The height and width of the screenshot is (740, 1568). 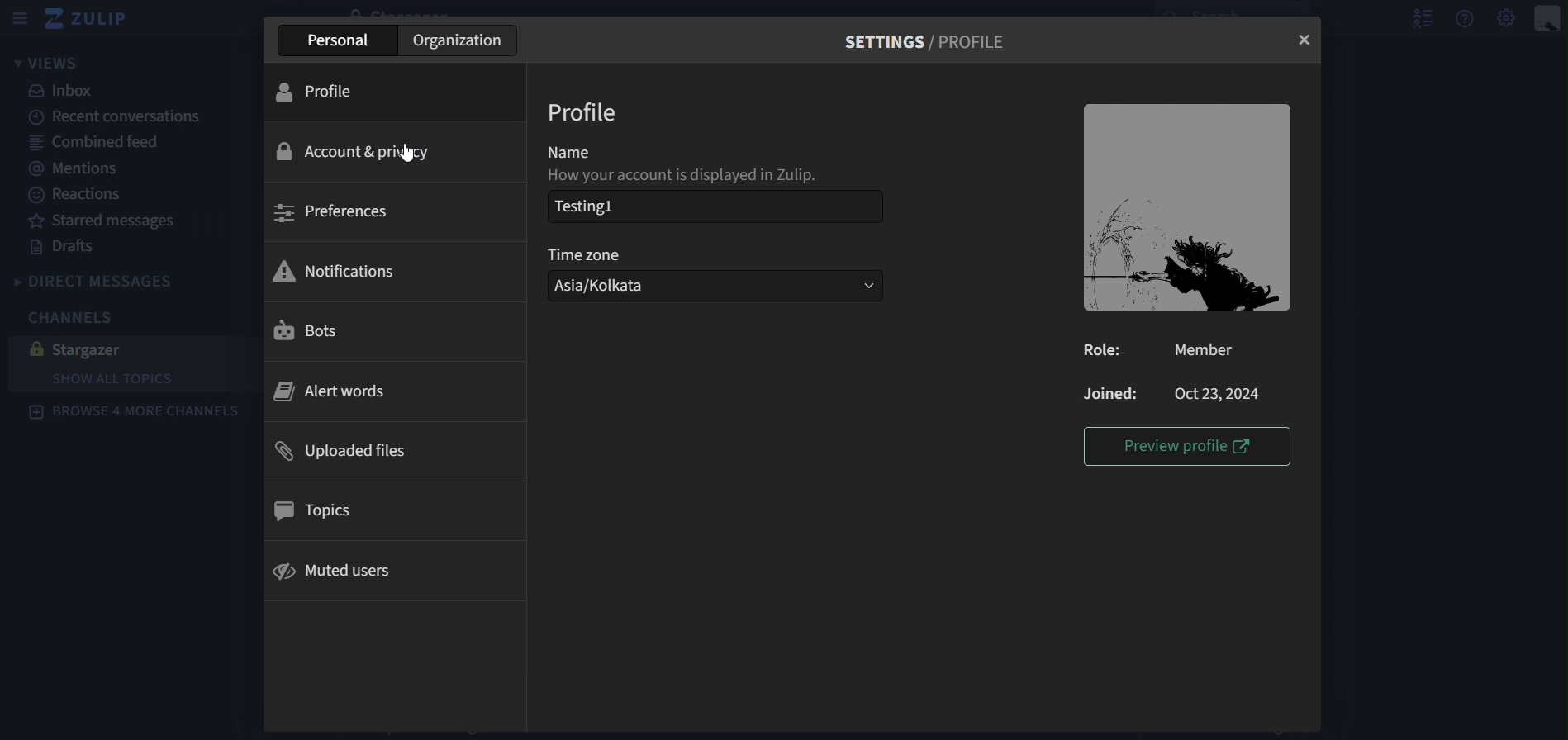 I want to click on channels, so click(x=66, y=316).